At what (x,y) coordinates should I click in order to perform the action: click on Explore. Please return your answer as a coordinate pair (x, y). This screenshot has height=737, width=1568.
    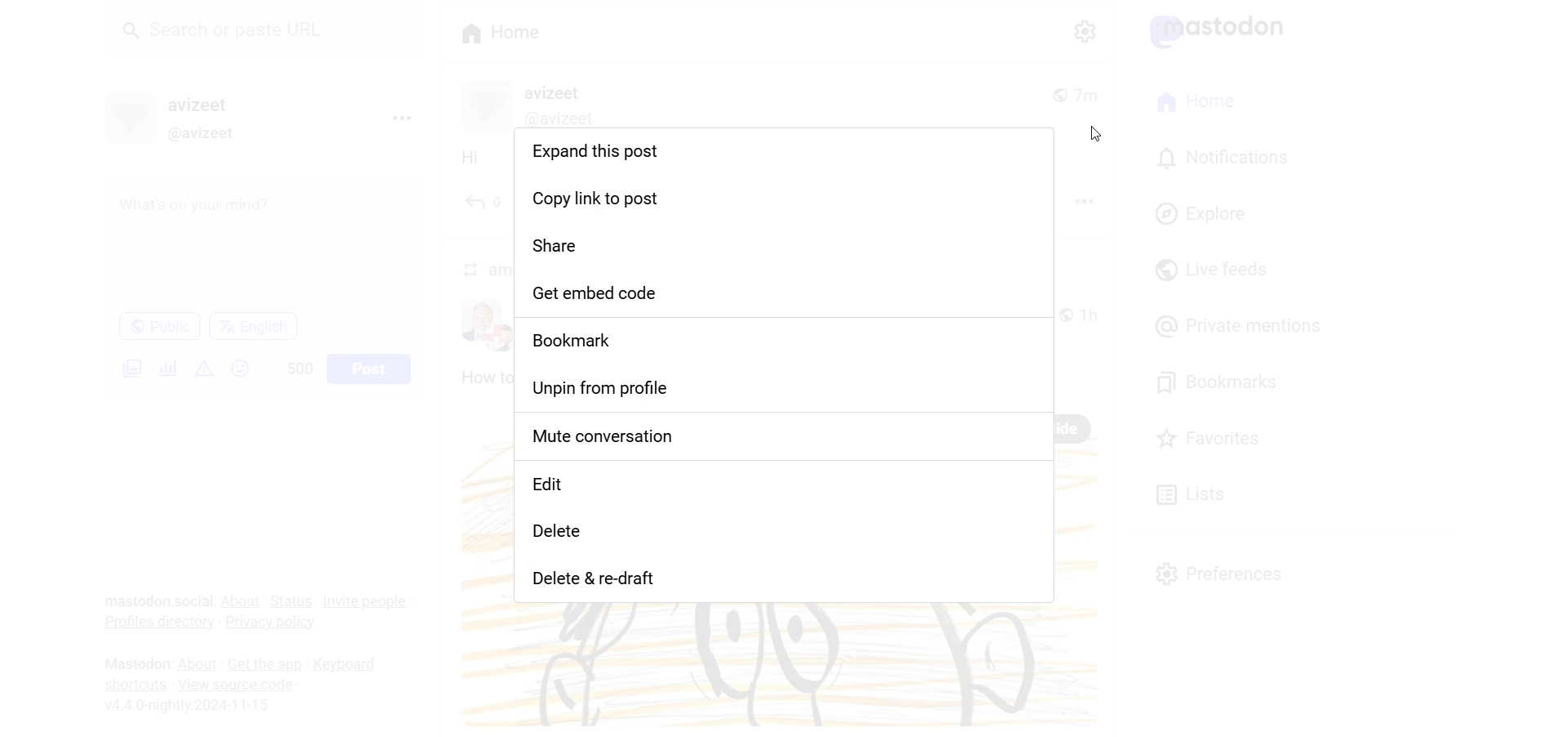
    Looking at the image, I should click on (1204, 212).